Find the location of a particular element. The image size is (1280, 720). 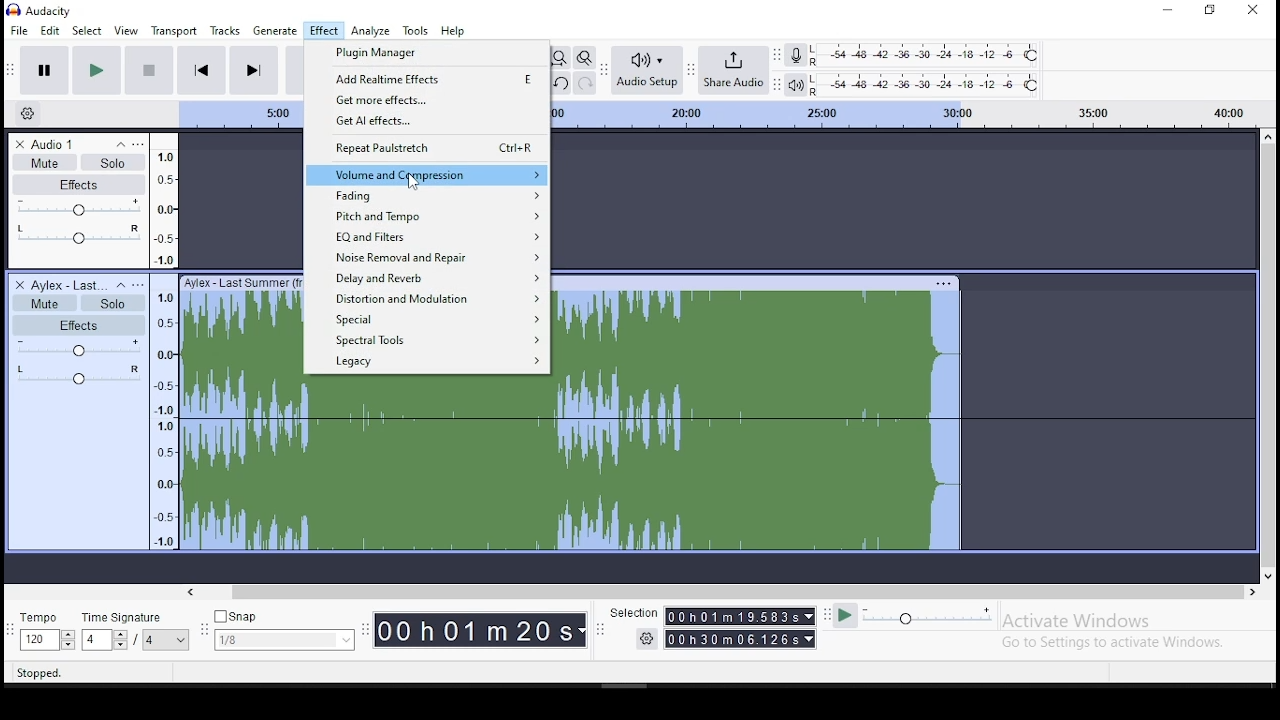

solo is located at coordinates (112, 303).